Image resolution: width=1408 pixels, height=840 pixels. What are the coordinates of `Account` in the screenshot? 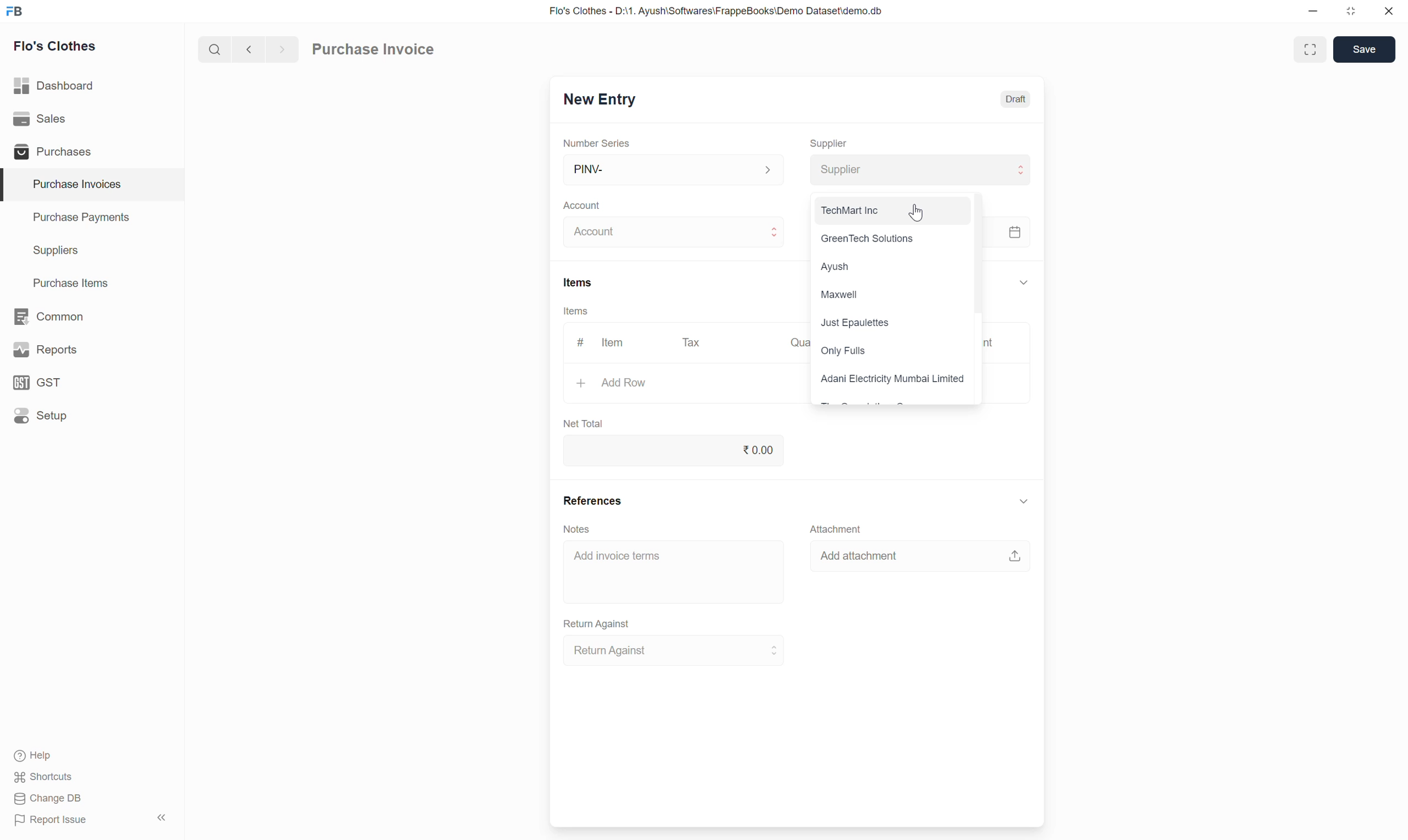 It's located at (675, 232).